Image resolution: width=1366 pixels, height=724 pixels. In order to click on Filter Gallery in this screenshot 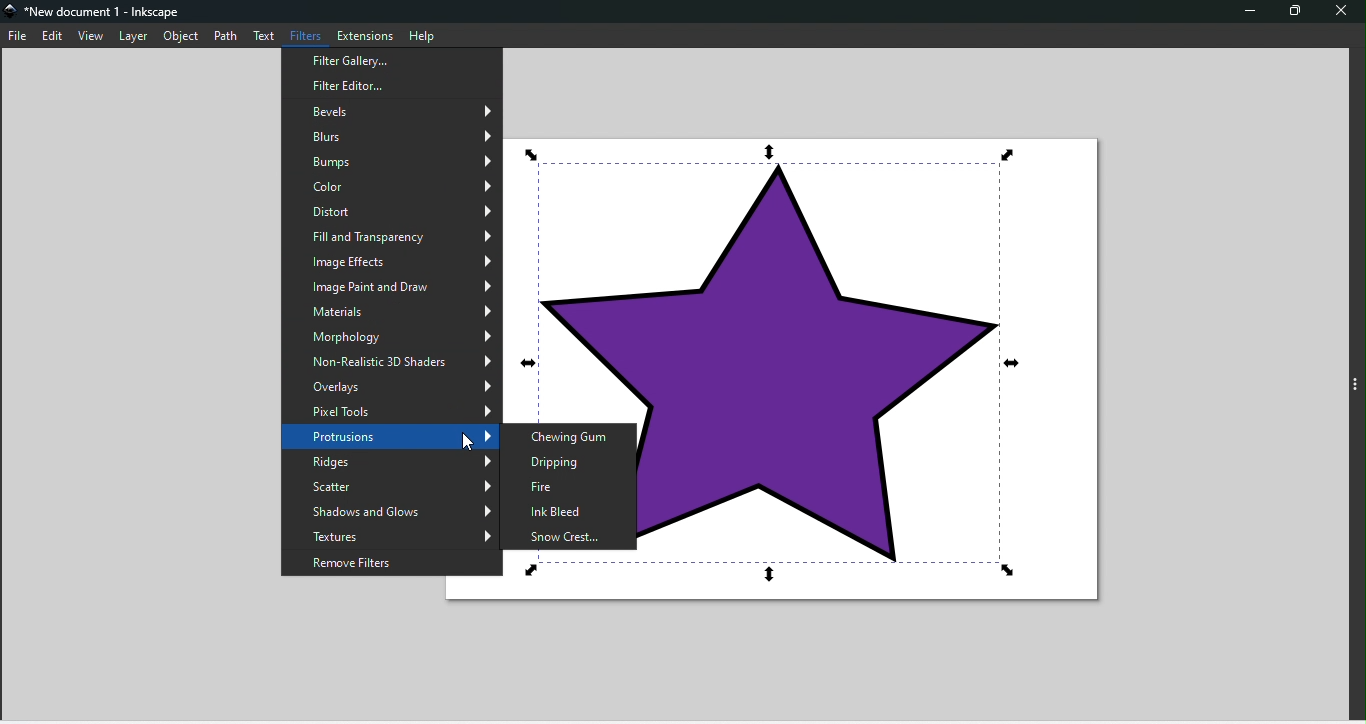, I will do `click(391, 80)`.